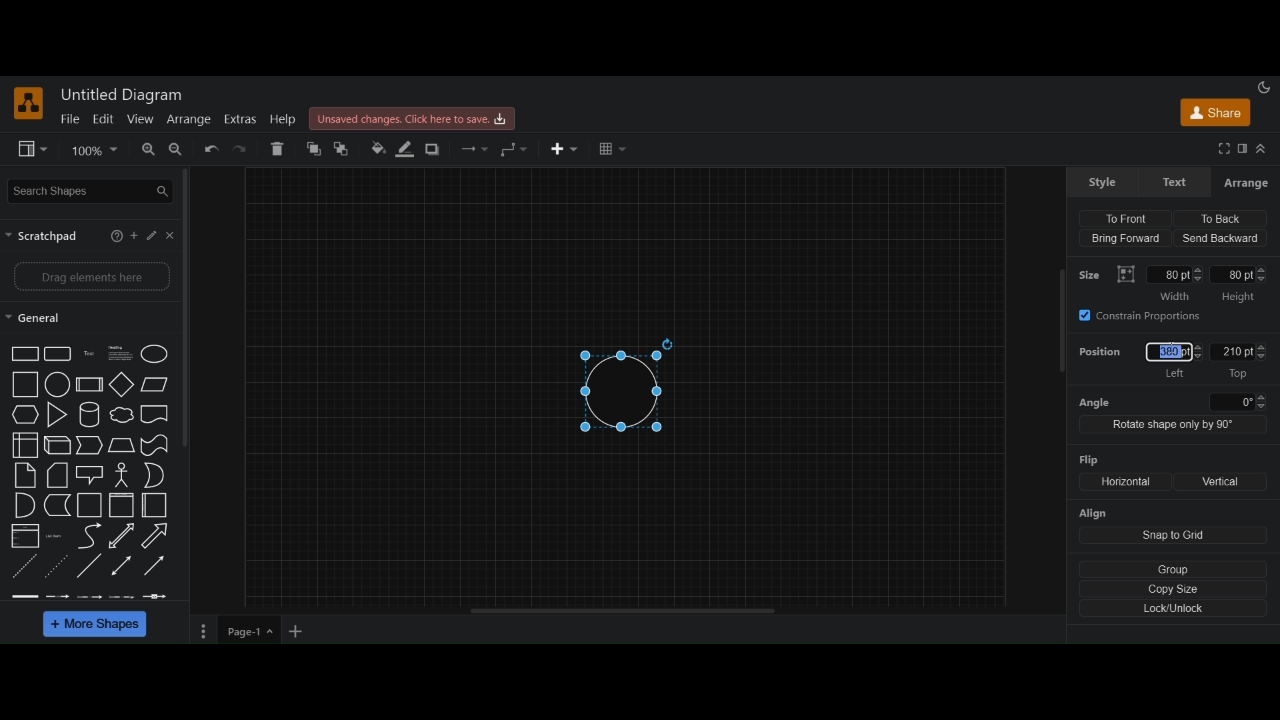 The height and width of the screenshot is (720, 1280). I want to click on Man shape, so click(122, 476).